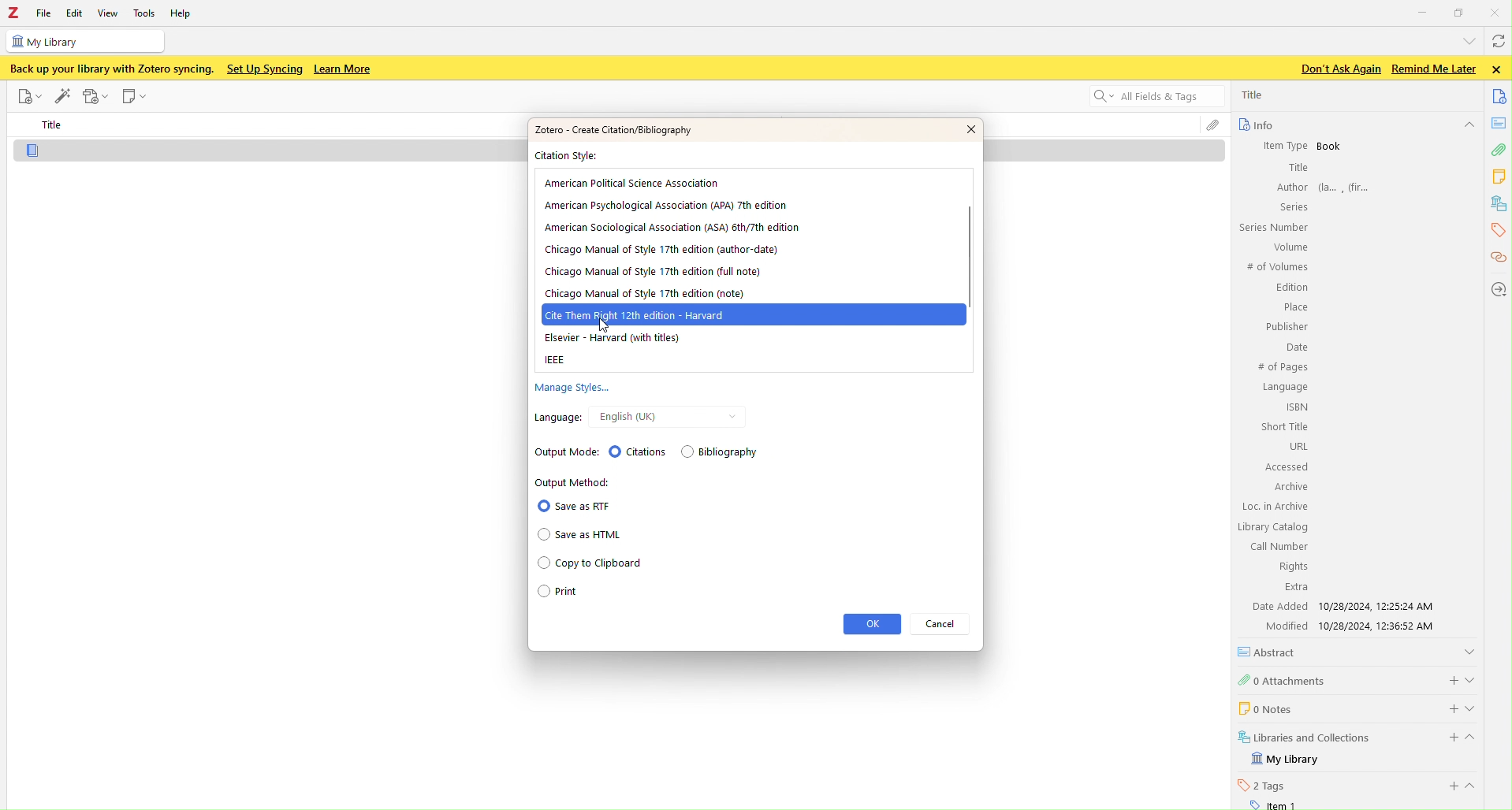 The image size is (1512, 810). Describe the element at coordinates (1499, 204) in the screenshot. I see `libraries` at that location.